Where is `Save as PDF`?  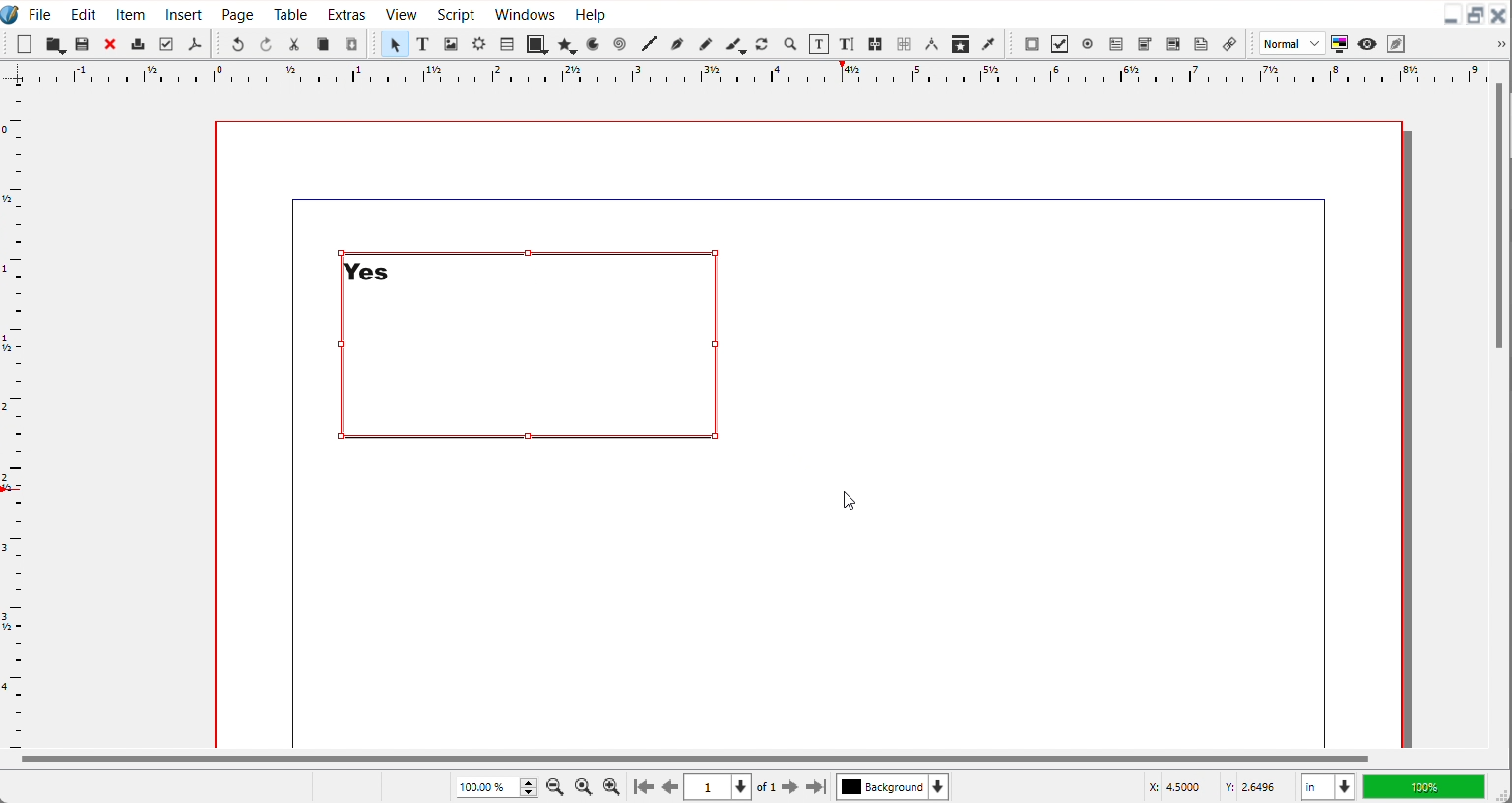 Save as PDF is located at coordinates (194, 44).